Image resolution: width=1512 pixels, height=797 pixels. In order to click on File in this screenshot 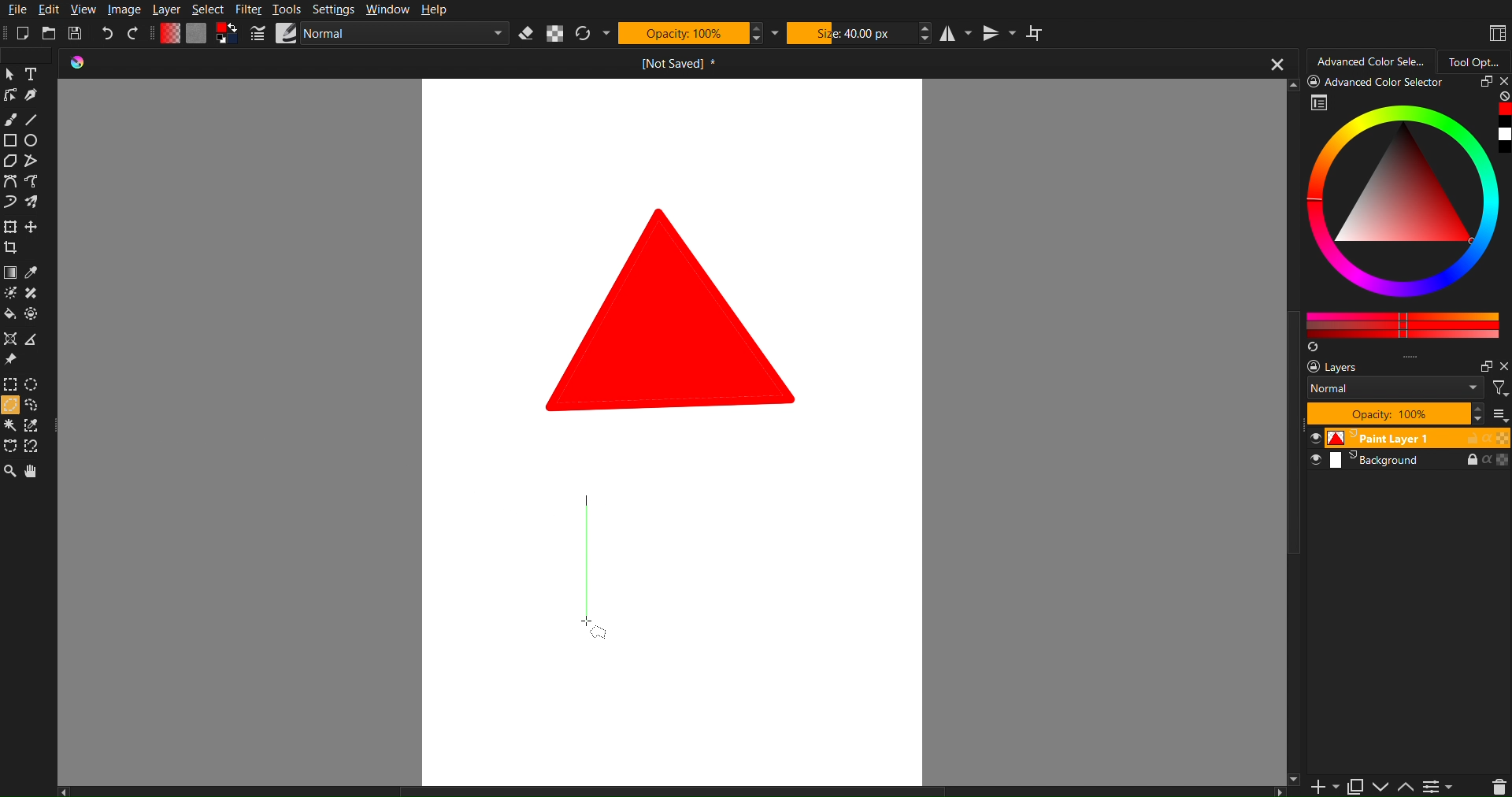, I will do `click(16, 9)`.